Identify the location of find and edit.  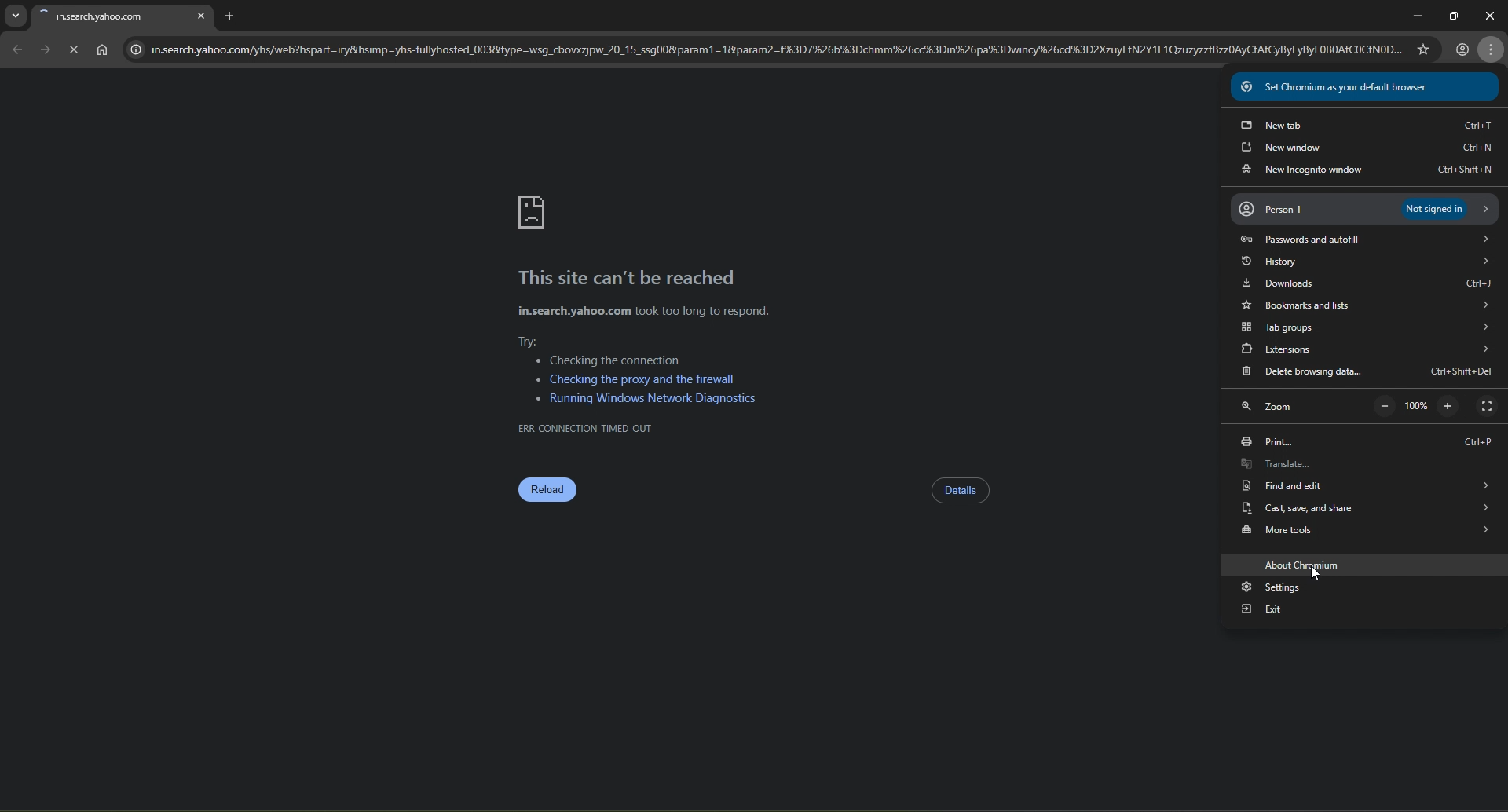
(1367, 489).